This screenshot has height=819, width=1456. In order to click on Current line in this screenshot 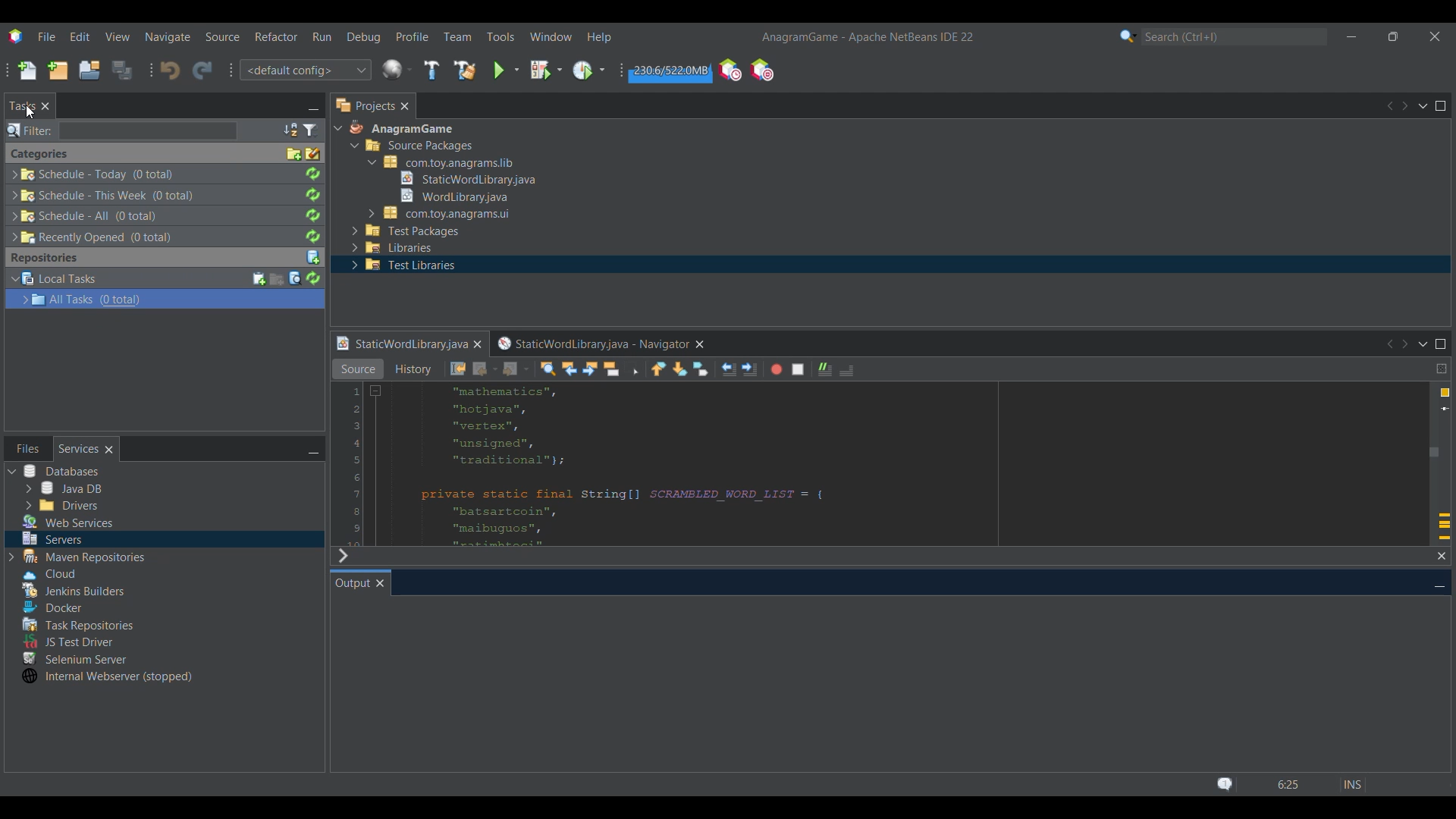, I will do `click(1445, 409)`.